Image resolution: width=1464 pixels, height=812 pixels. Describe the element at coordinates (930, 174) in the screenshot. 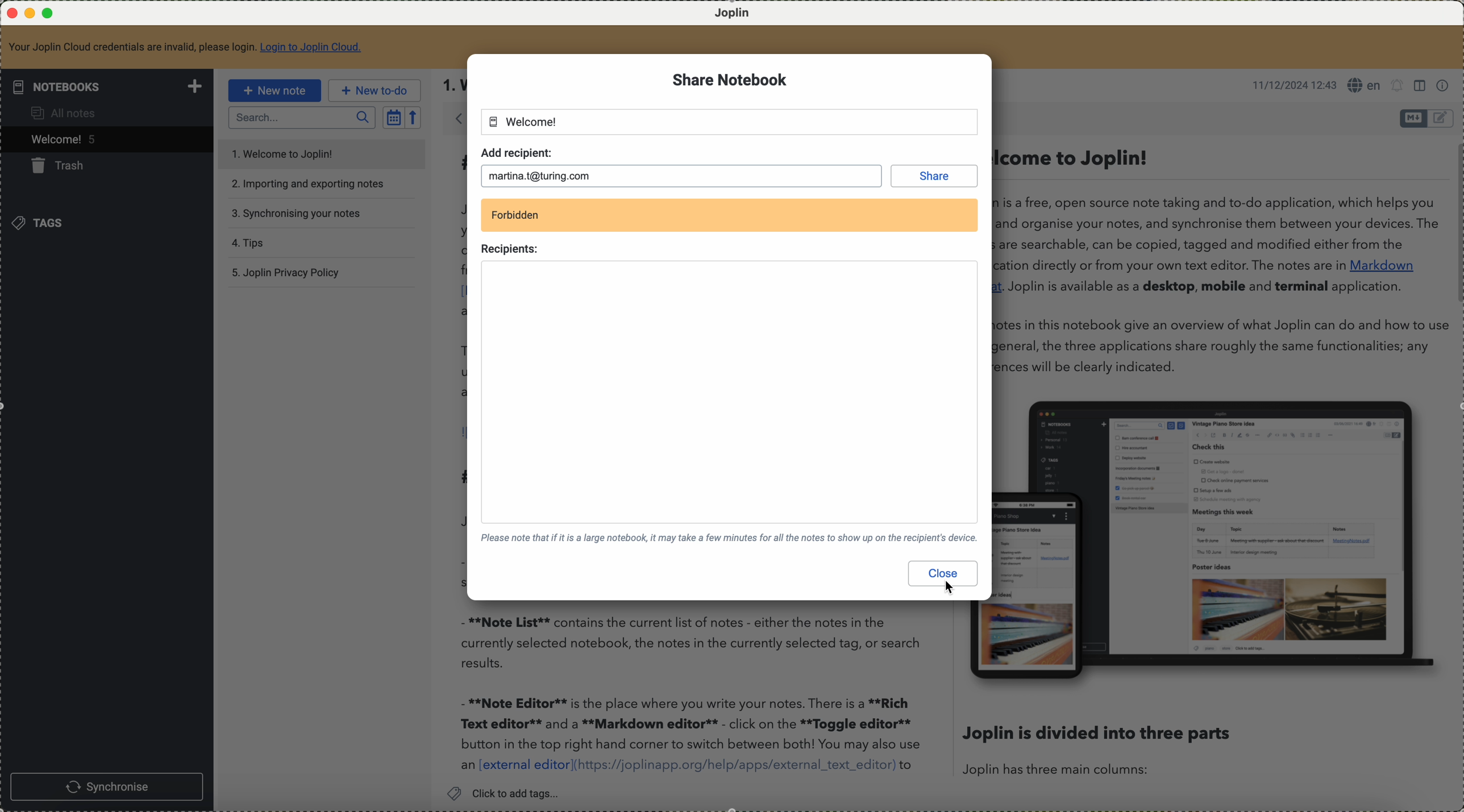

I see ` share` at that location.